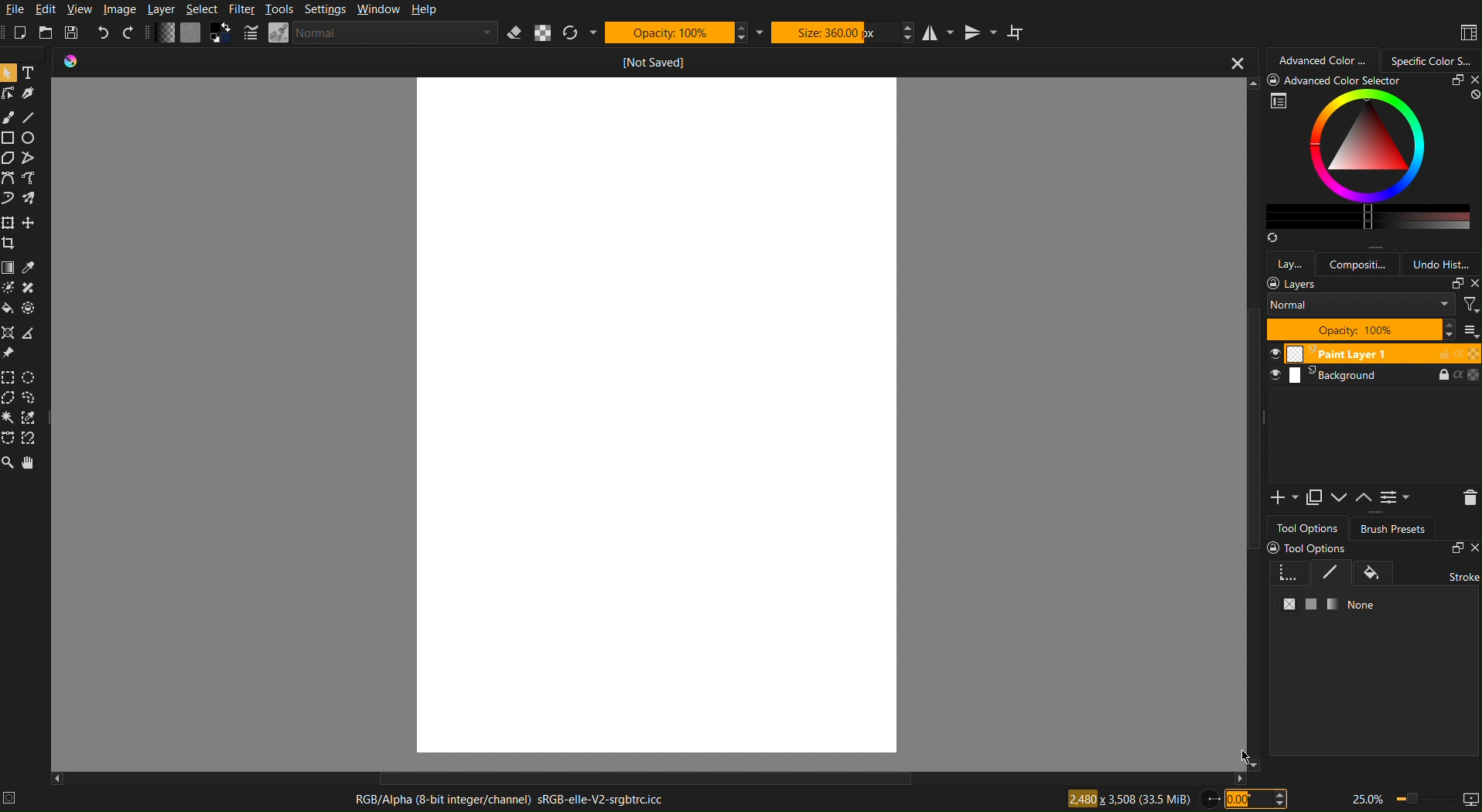 The width and height of the screenshot is (1482, 812). Describe the element at coordinates (381, 10) in the screenshot. I see `Window` at that location.